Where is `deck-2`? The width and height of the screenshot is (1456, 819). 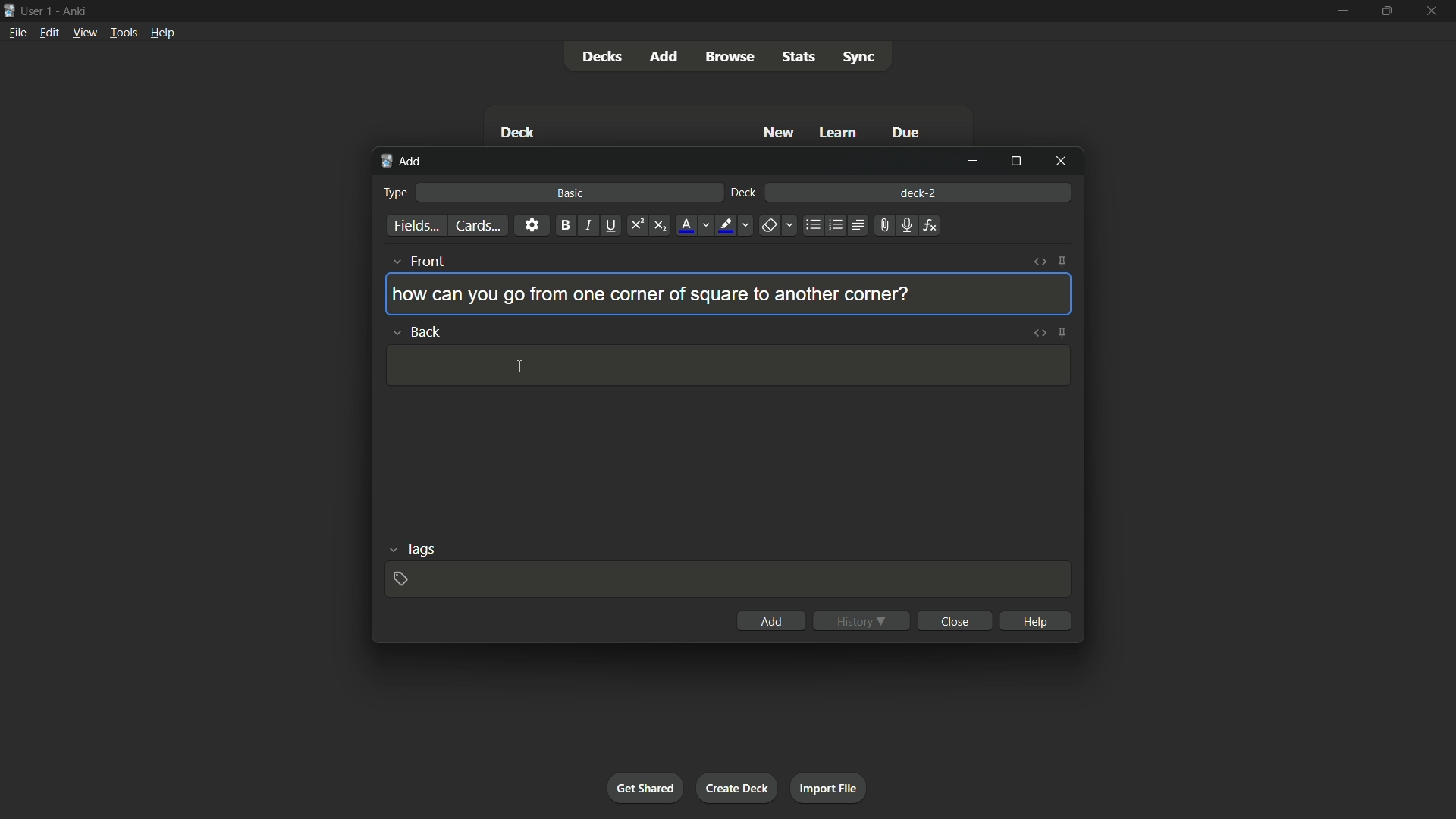 deck-2 is located at coordinates (918, 191).